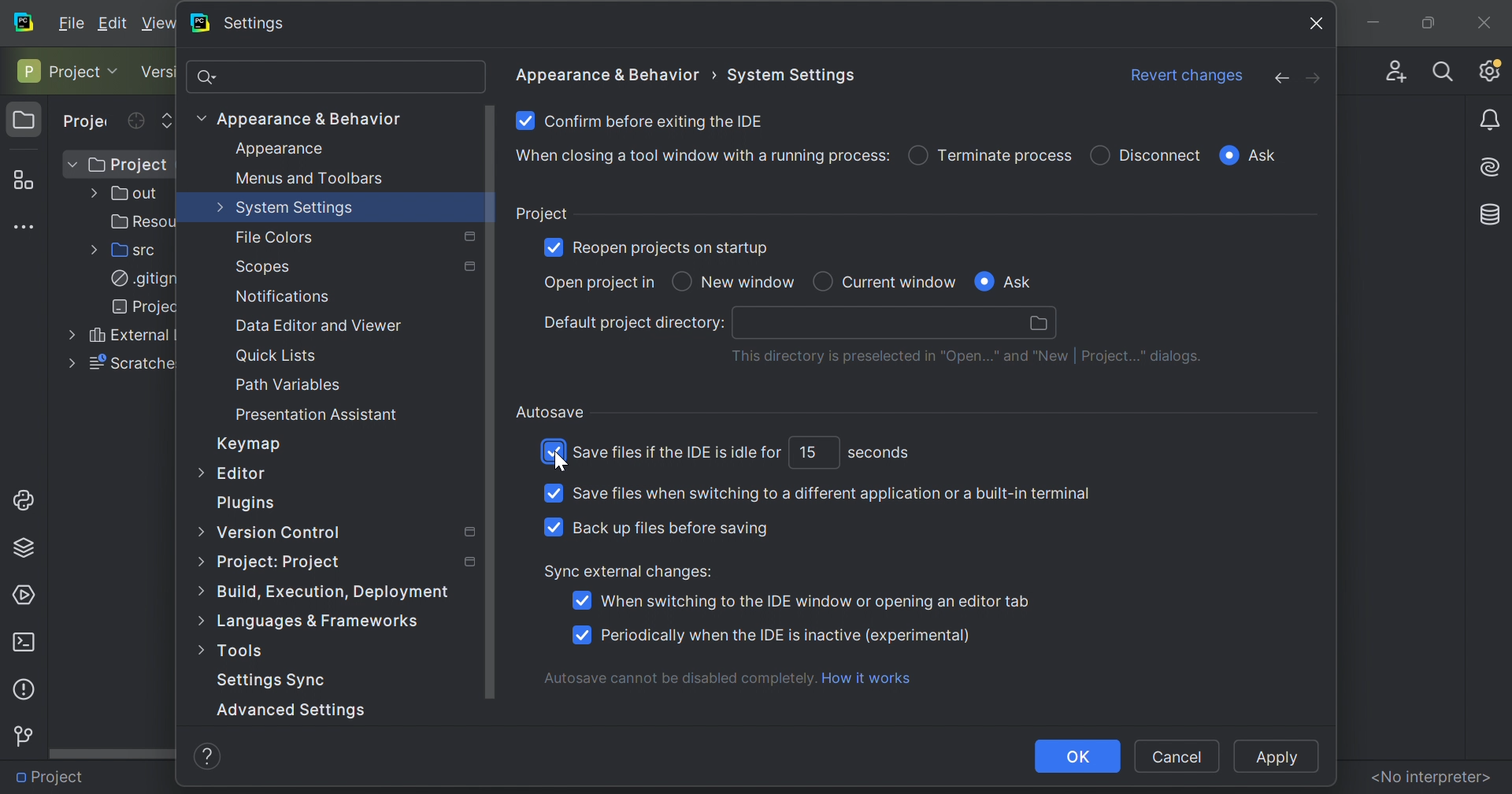  Describe the element at coordinates (580, 600) in the screenshot. I see `Checkbox` at that location.